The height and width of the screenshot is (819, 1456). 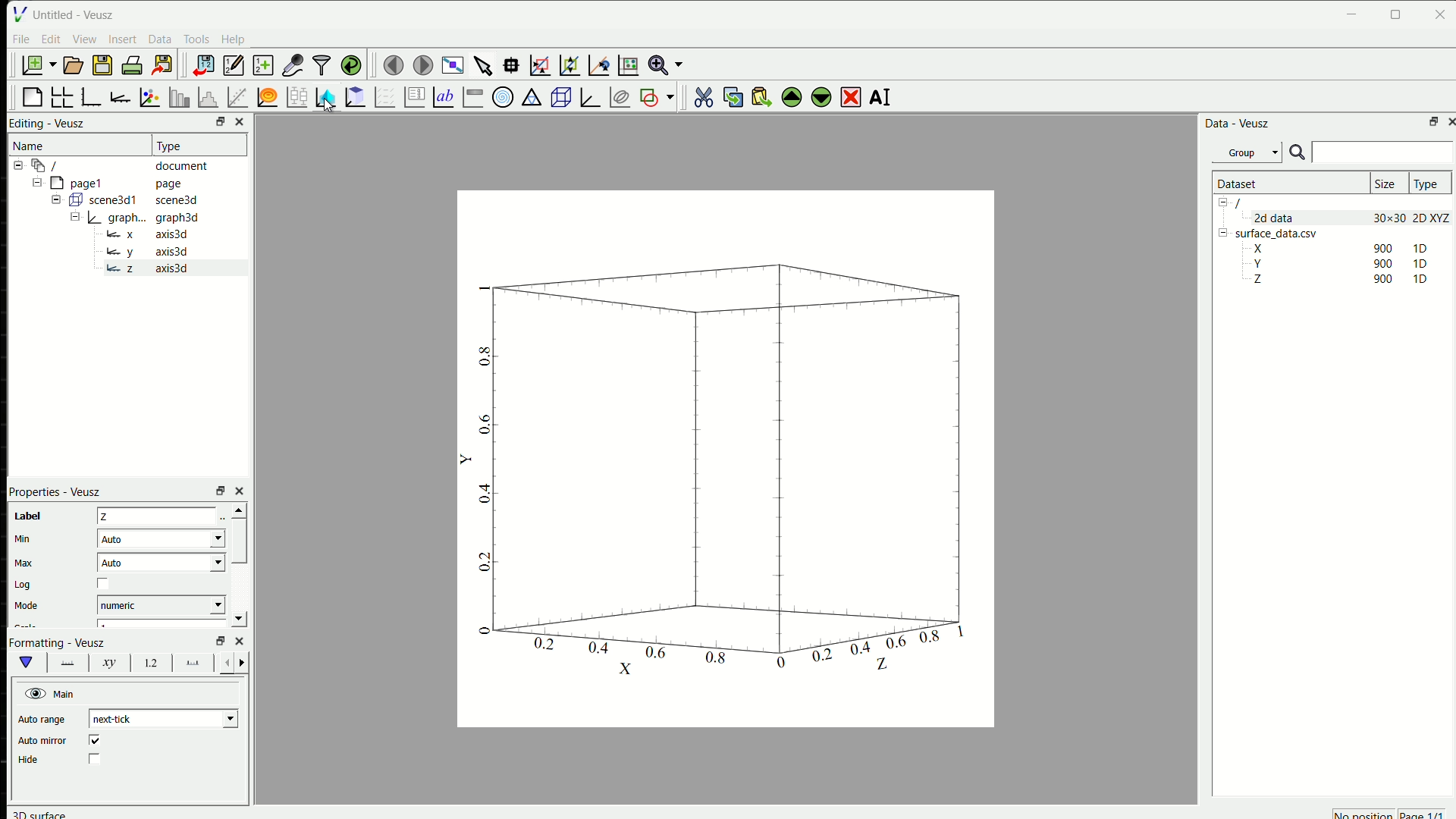 What do you see at coordinates (152, 538) in the screenshot?
I see `Auto` at bounding box center [152, 538].